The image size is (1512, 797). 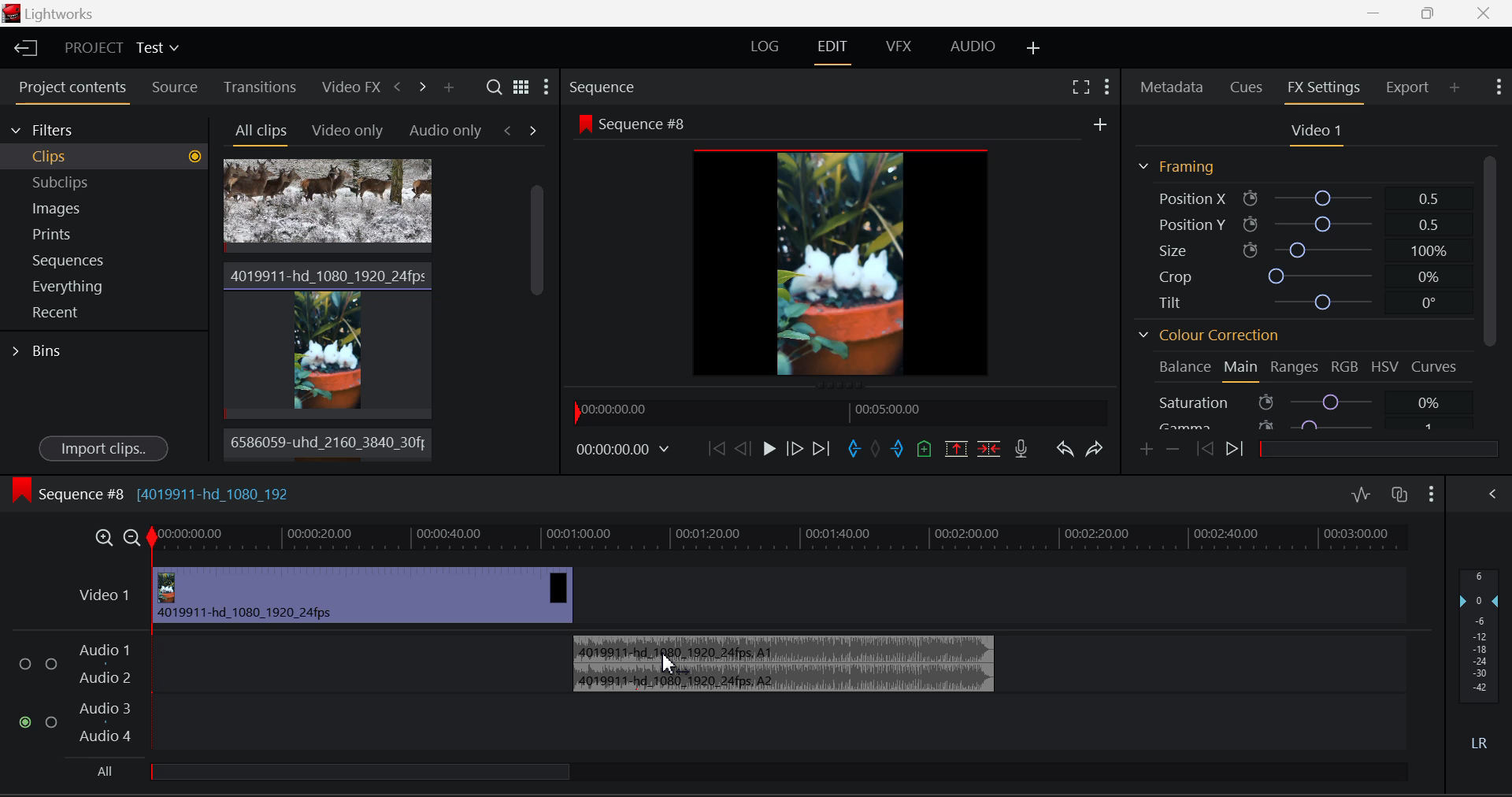 What do you see at coordinates (280, 695) in the screenshot?
I see `Audio Input Fields` at bounding box center [280, 695].